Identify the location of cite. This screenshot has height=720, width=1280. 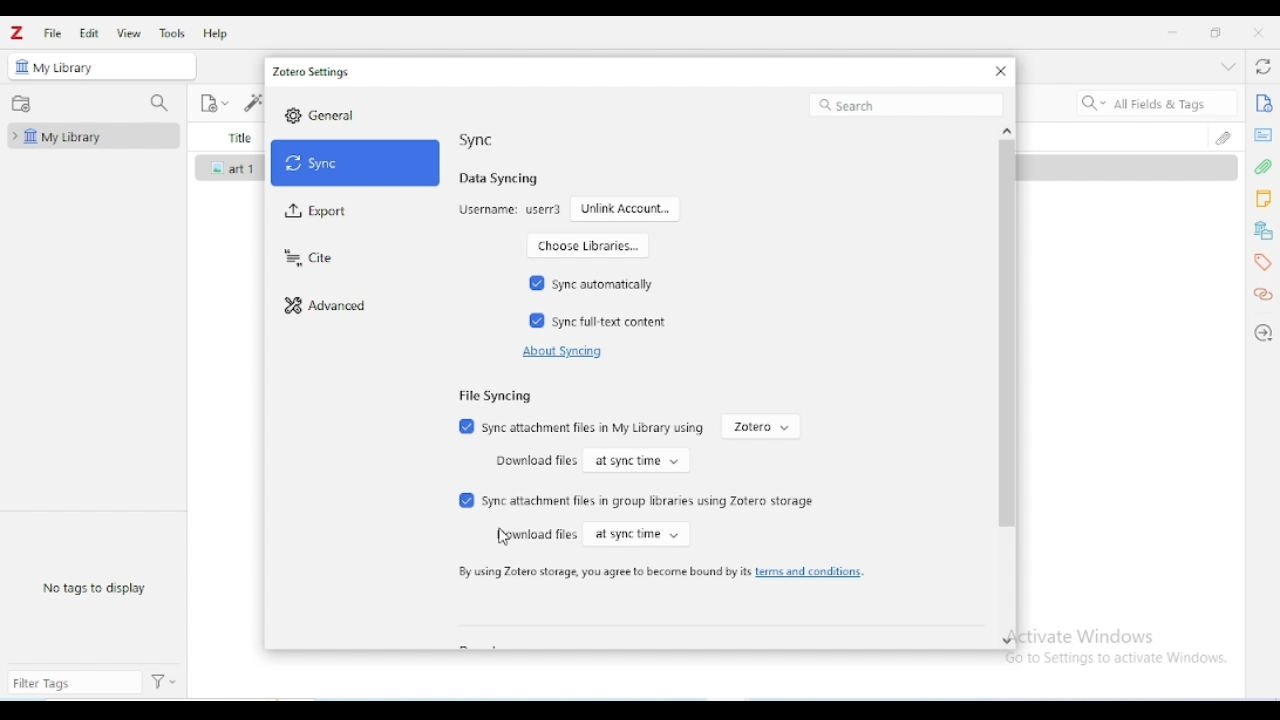
(307, 259).